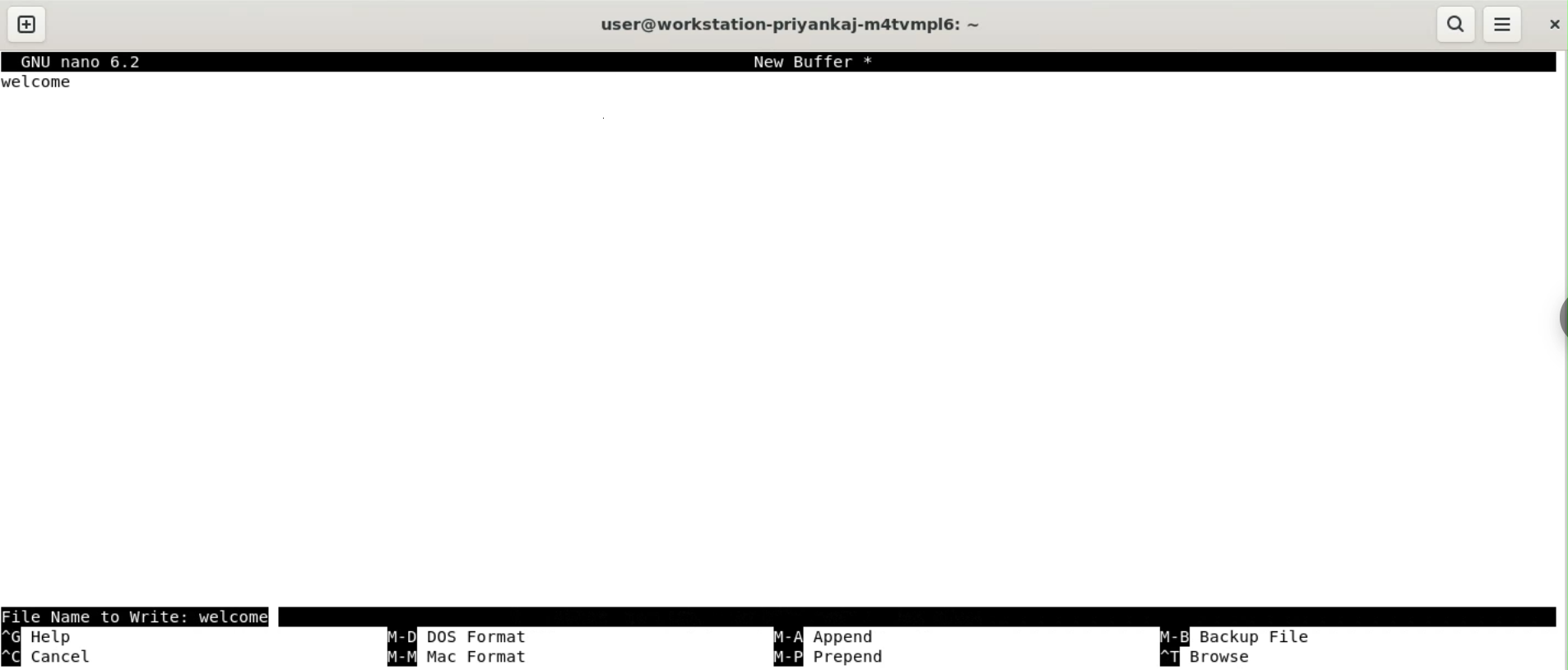  What do you see at coordinates (1549, 25) in the screenshot?
I see `close` at bounding box center [1549, 25].